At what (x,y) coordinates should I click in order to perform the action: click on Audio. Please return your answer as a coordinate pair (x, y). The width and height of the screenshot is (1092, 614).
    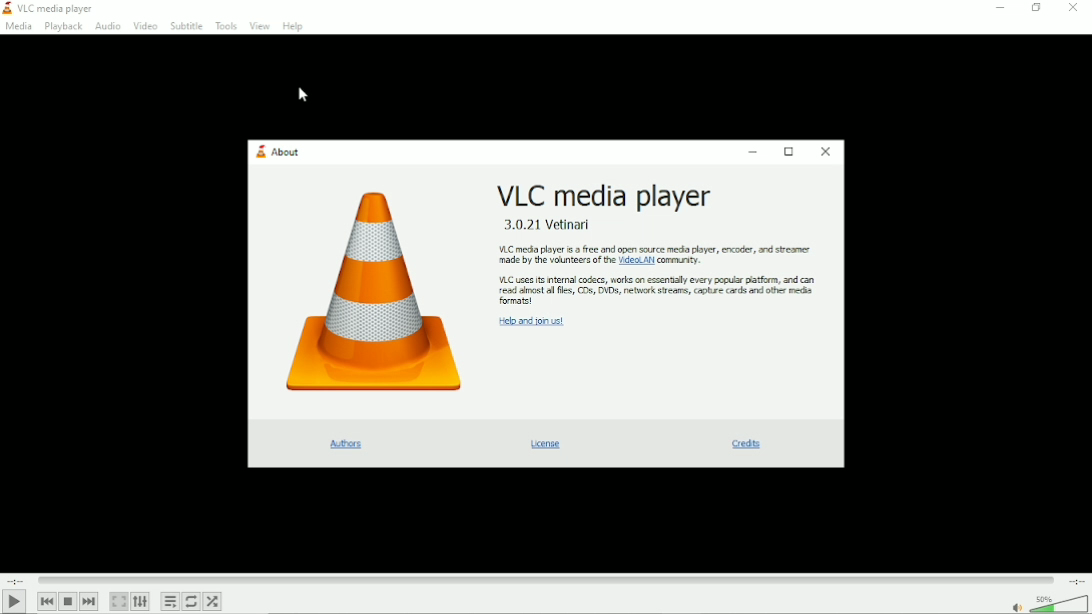
    Looking at the image, I should click on (108, 27).